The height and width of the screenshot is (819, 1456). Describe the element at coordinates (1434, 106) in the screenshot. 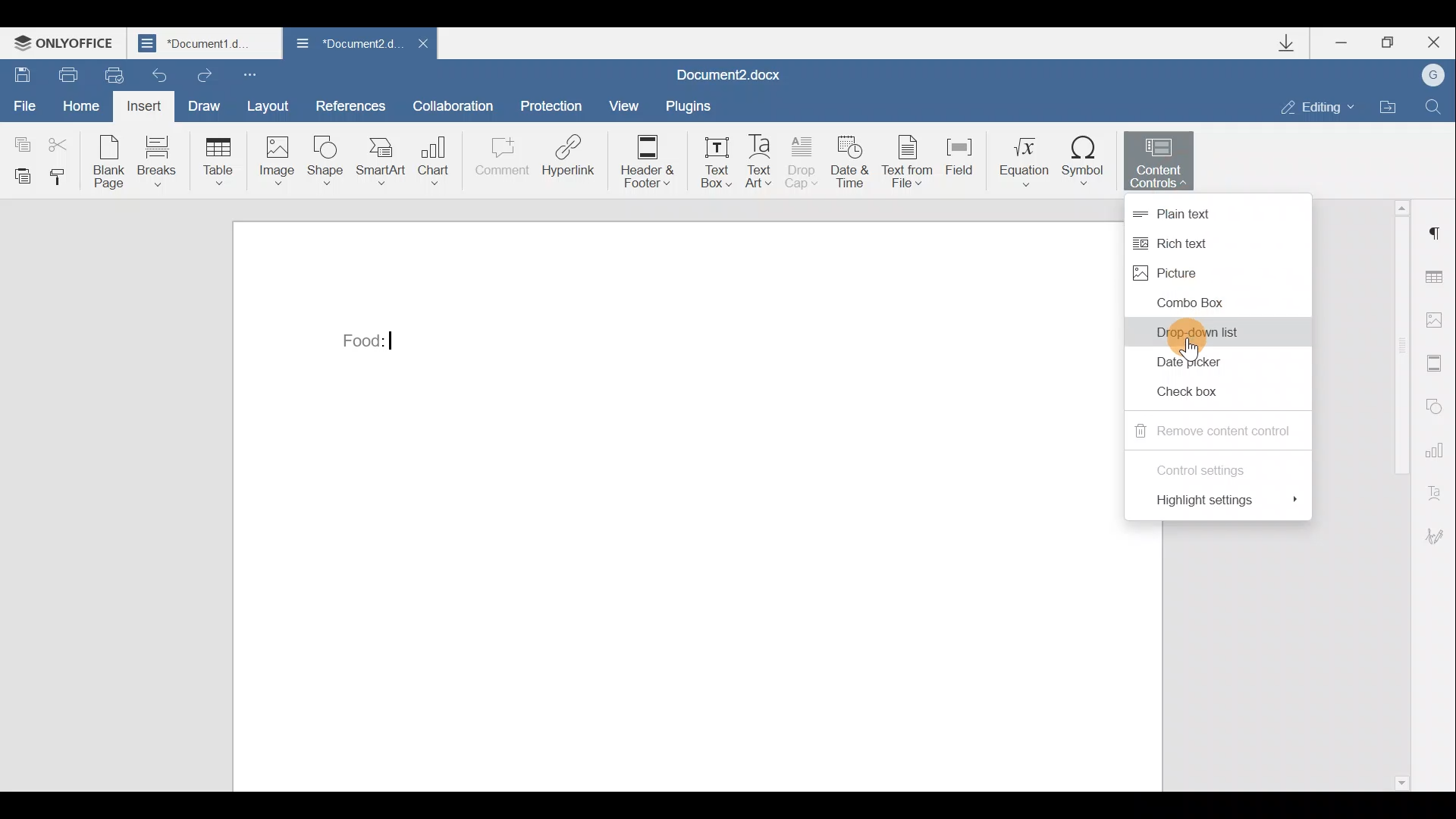

I see `Find` at that location.